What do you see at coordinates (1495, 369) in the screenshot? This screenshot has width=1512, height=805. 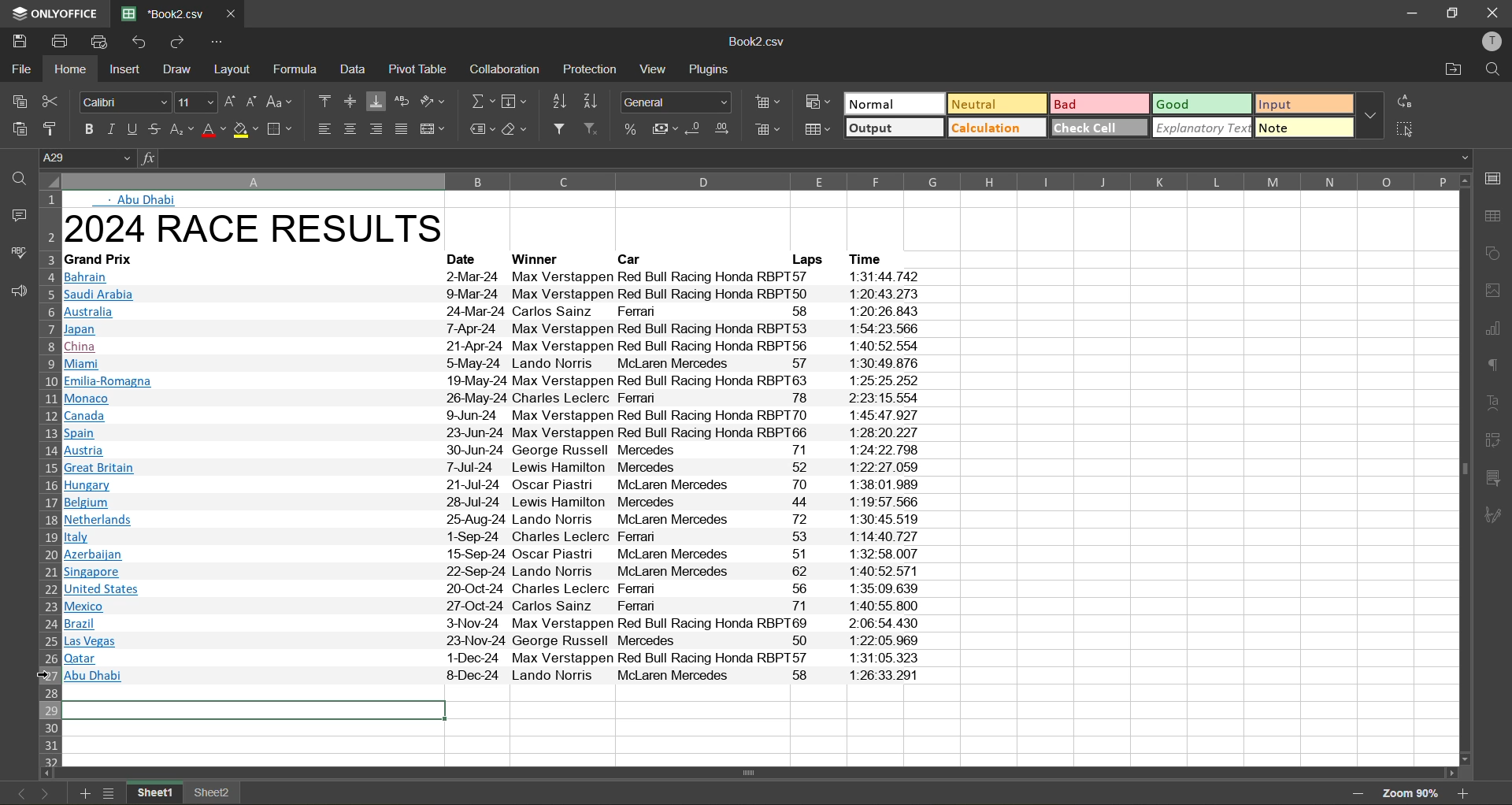 I see `paragraph` at bounding box center [1495, 369].